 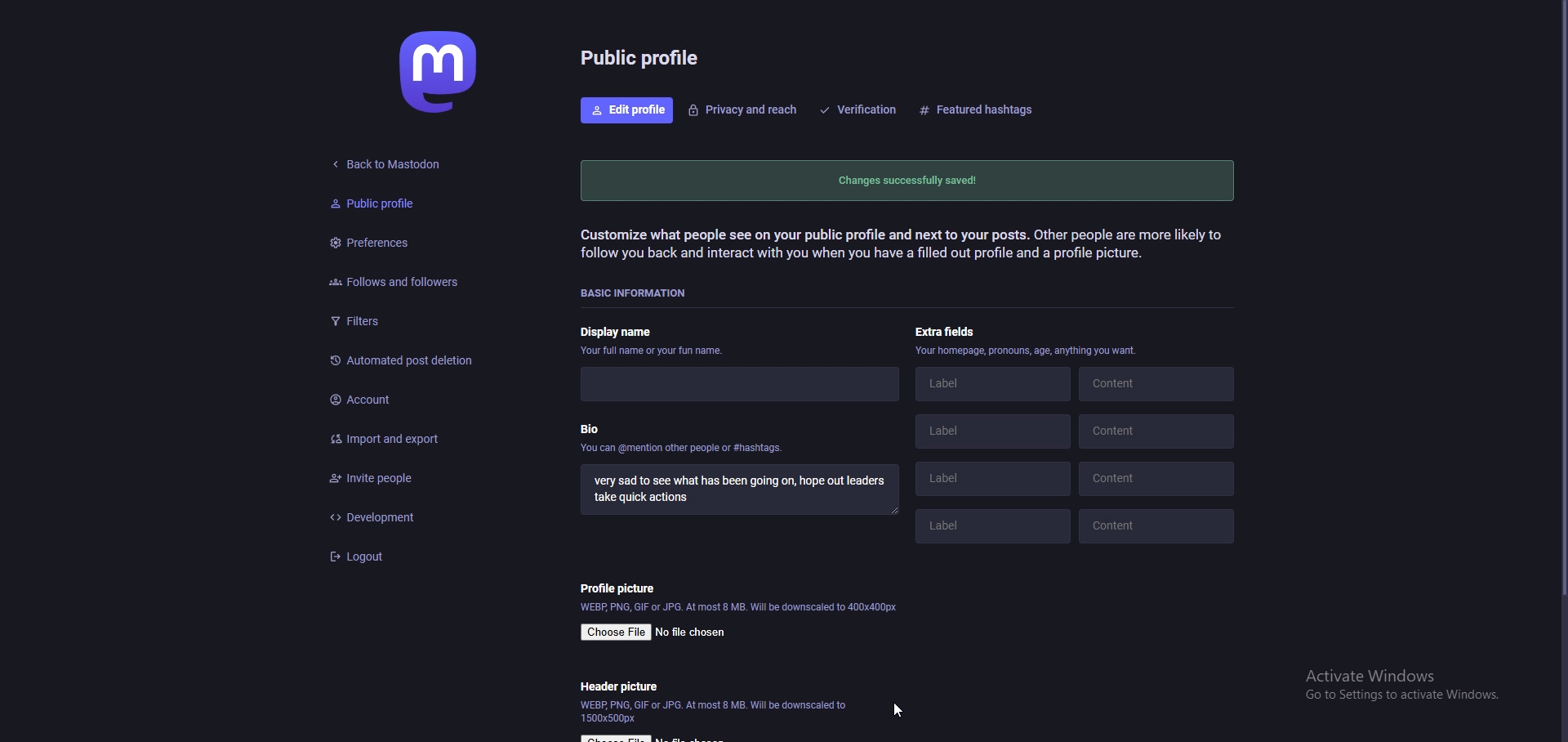 What do you see at coordinates (691, 382) in the screenshot?
I see `Name` at bounding box center [691, 382].